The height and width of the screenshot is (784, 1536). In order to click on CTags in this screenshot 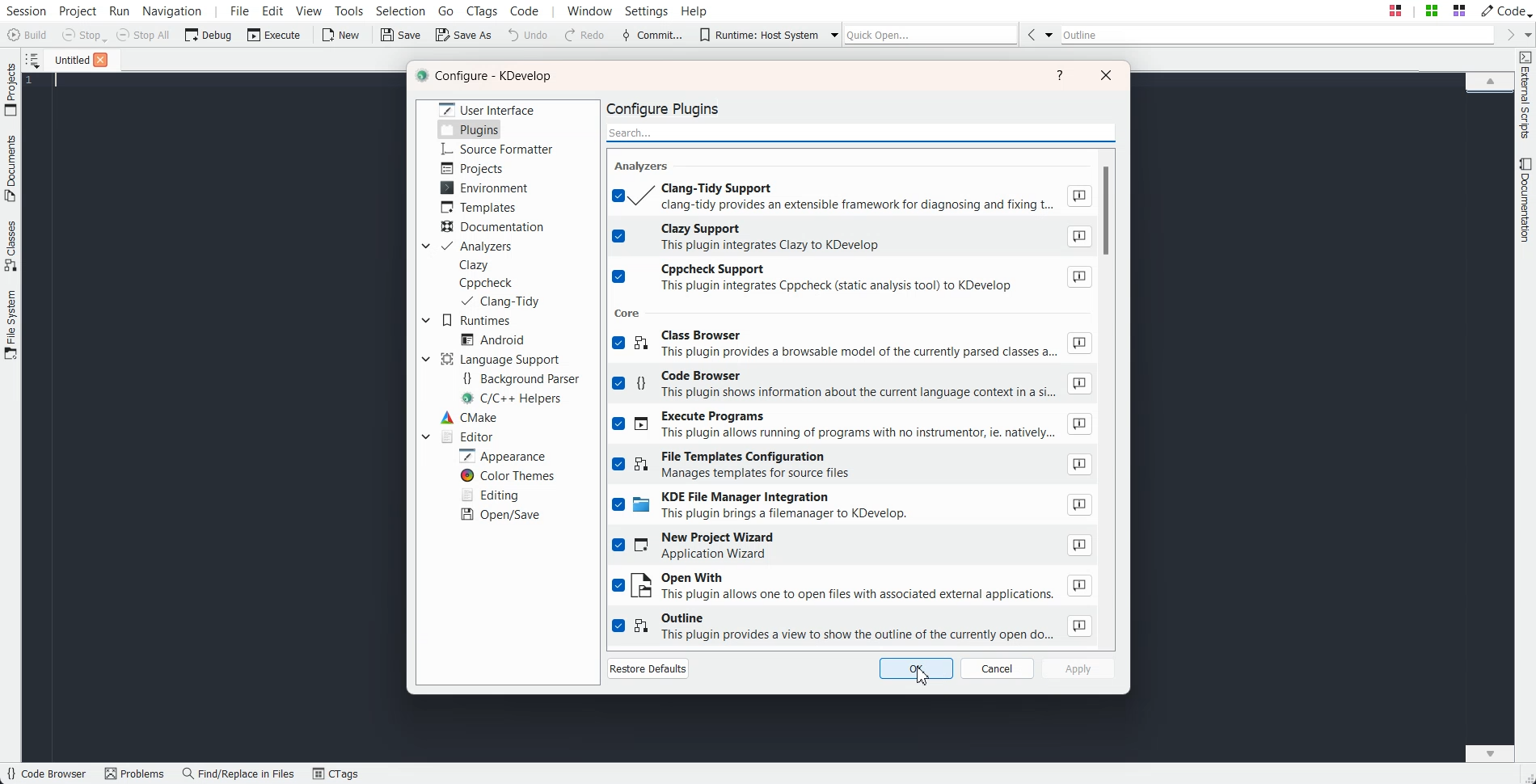, I will do `click(335, 774)`.